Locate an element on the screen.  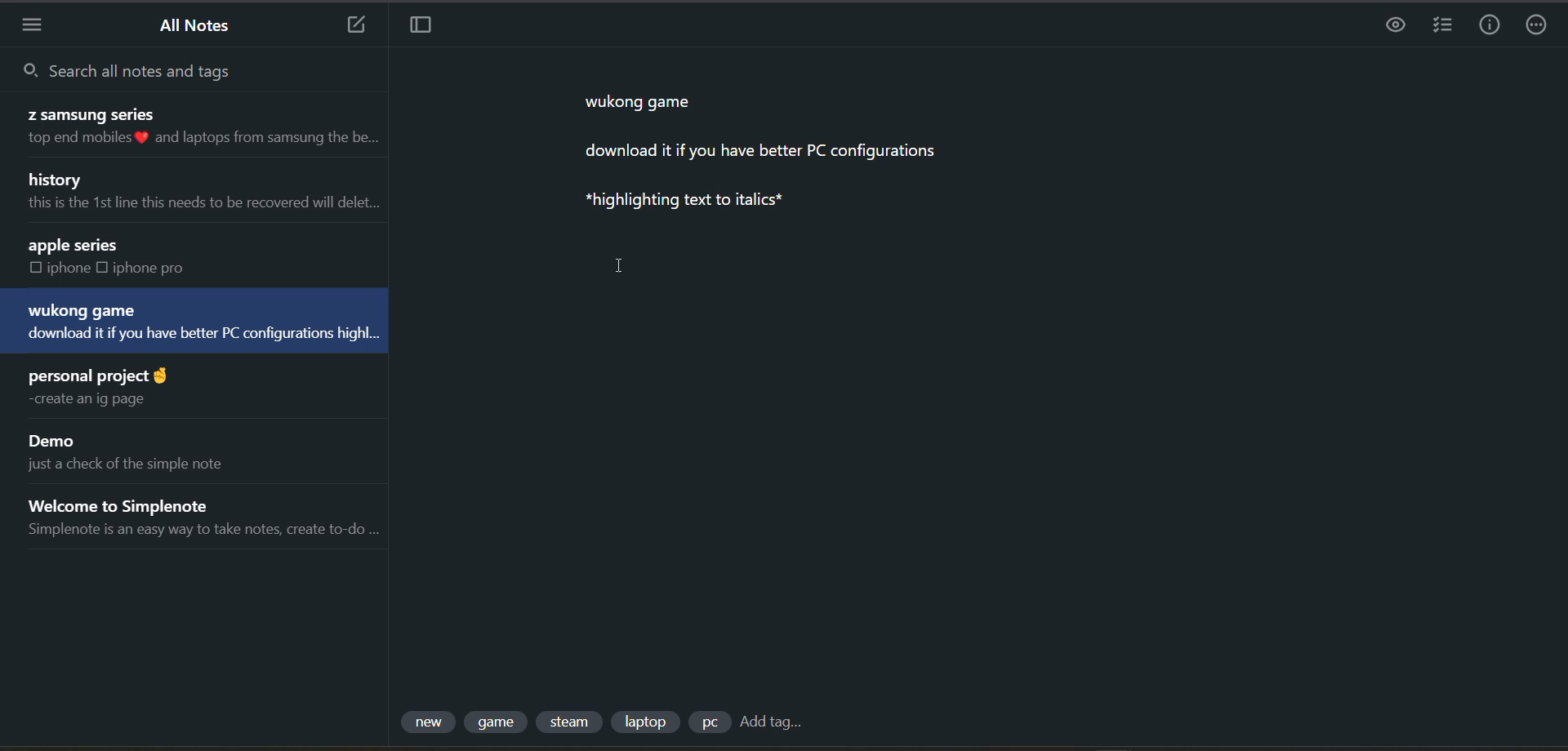
note title and preview is located at coordinates (194, 127).